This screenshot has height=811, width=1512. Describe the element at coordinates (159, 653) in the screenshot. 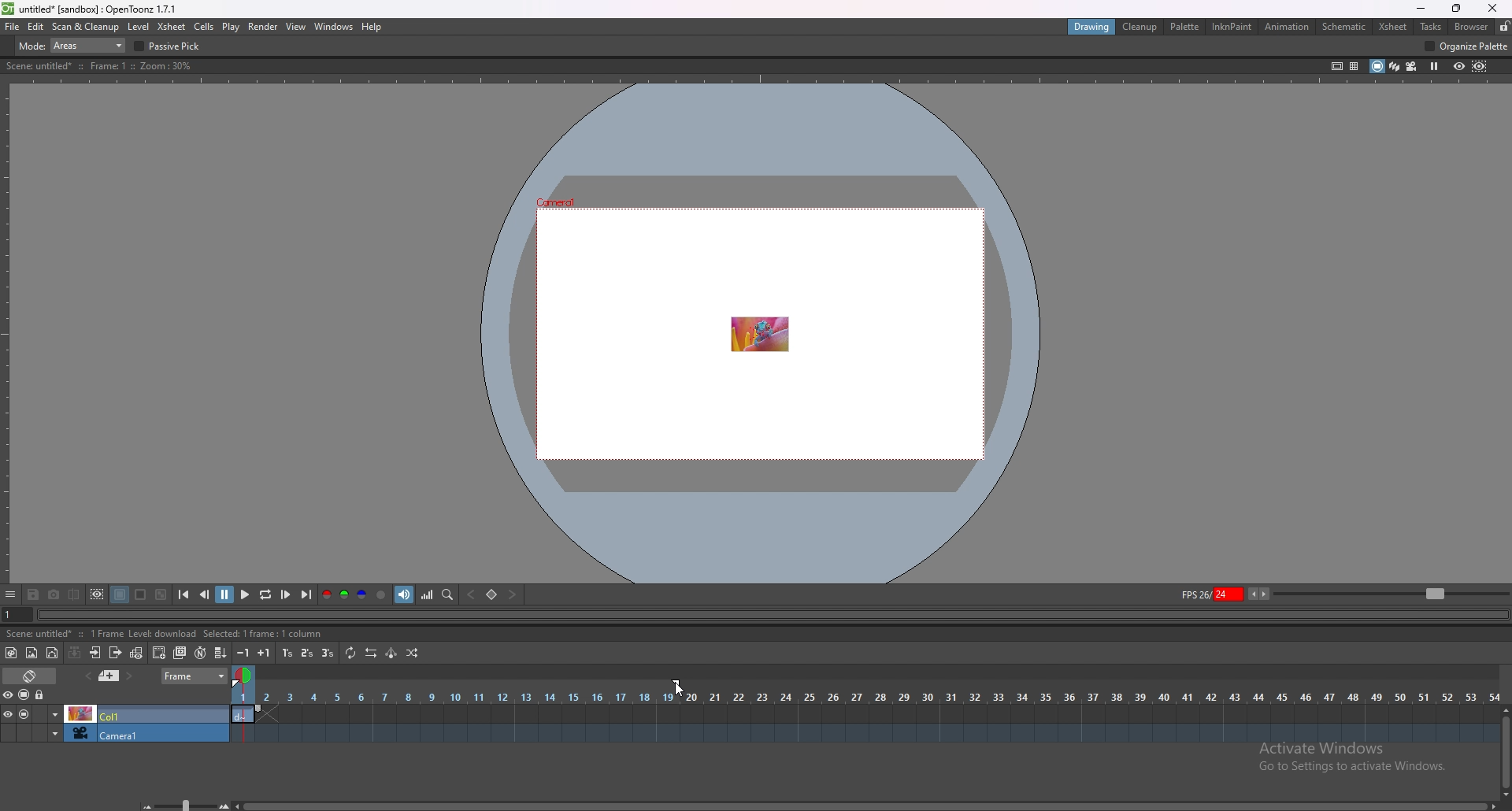

I see `create blank drawing` at that location.